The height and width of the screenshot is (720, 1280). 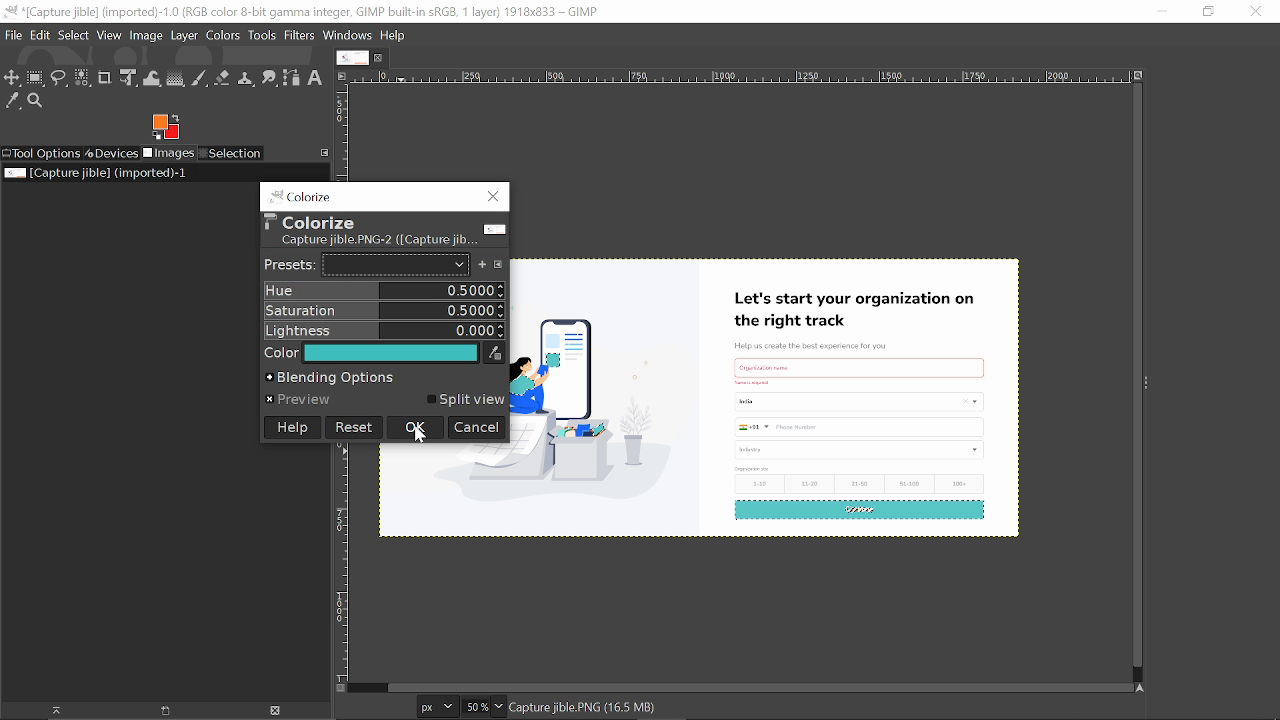 What do you see at coordinates (73, 35) in the screenshot?
I see `Select` at bounding box center [73, 35].